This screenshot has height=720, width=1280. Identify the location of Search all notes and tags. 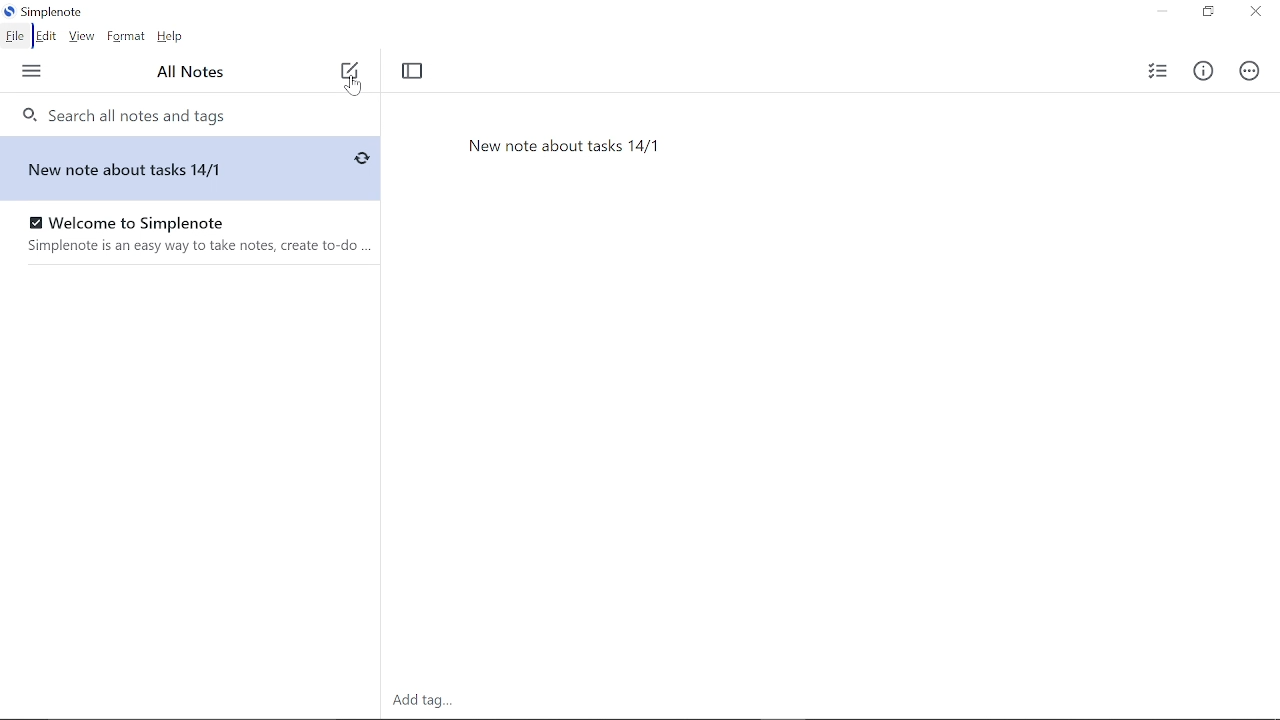
(189, 114).